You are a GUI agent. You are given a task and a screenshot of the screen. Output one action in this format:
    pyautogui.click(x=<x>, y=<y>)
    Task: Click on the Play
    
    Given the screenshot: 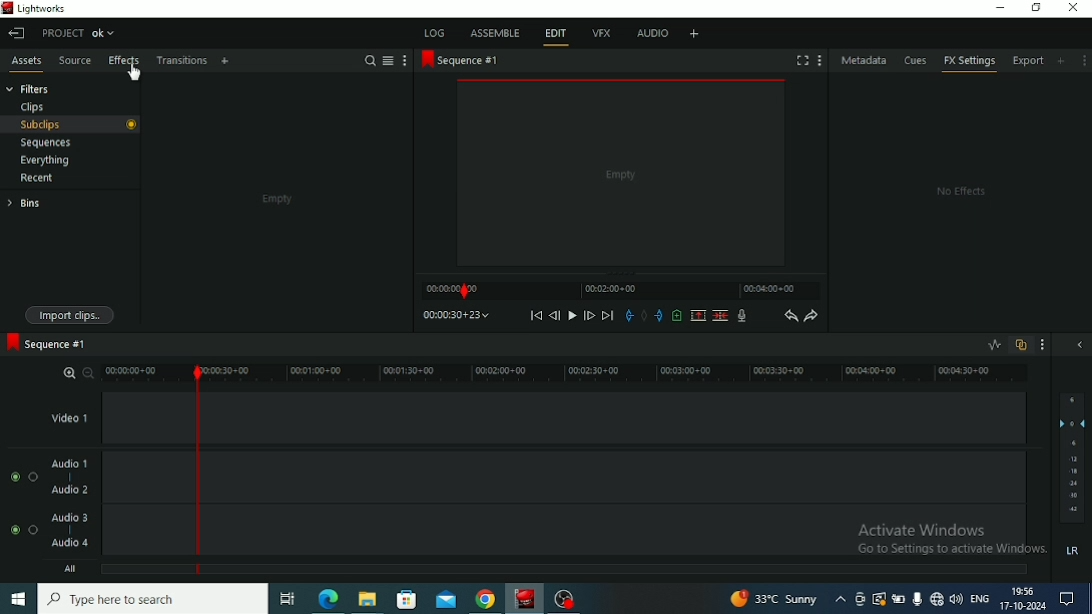 What is the action you would take?
    pyautogui.click(x=572, y=316)
    